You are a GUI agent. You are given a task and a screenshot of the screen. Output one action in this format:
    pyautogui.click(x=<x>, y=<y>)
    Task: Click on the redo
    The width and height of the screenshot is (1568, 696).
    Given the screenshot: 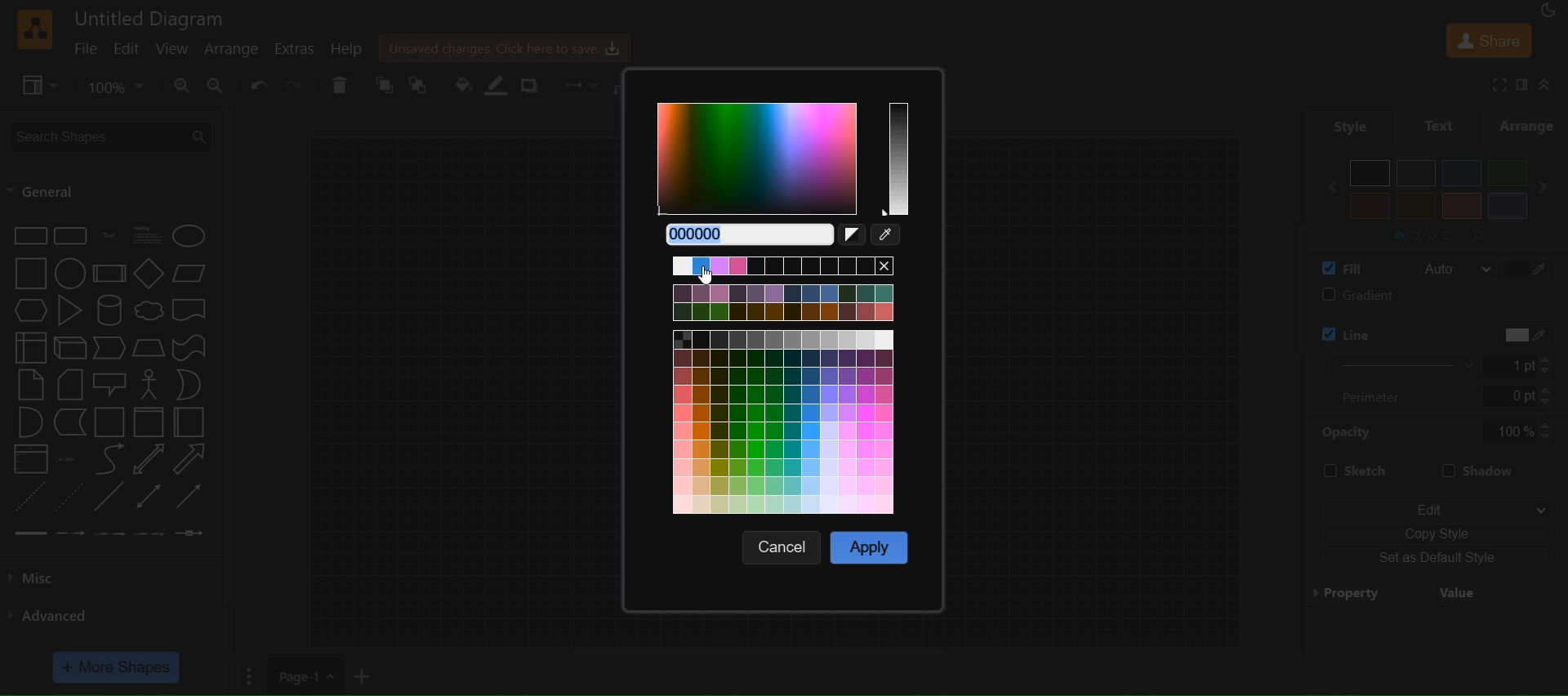 What is the action you would take?
    pyautogui.click(x=296, y=84)
    